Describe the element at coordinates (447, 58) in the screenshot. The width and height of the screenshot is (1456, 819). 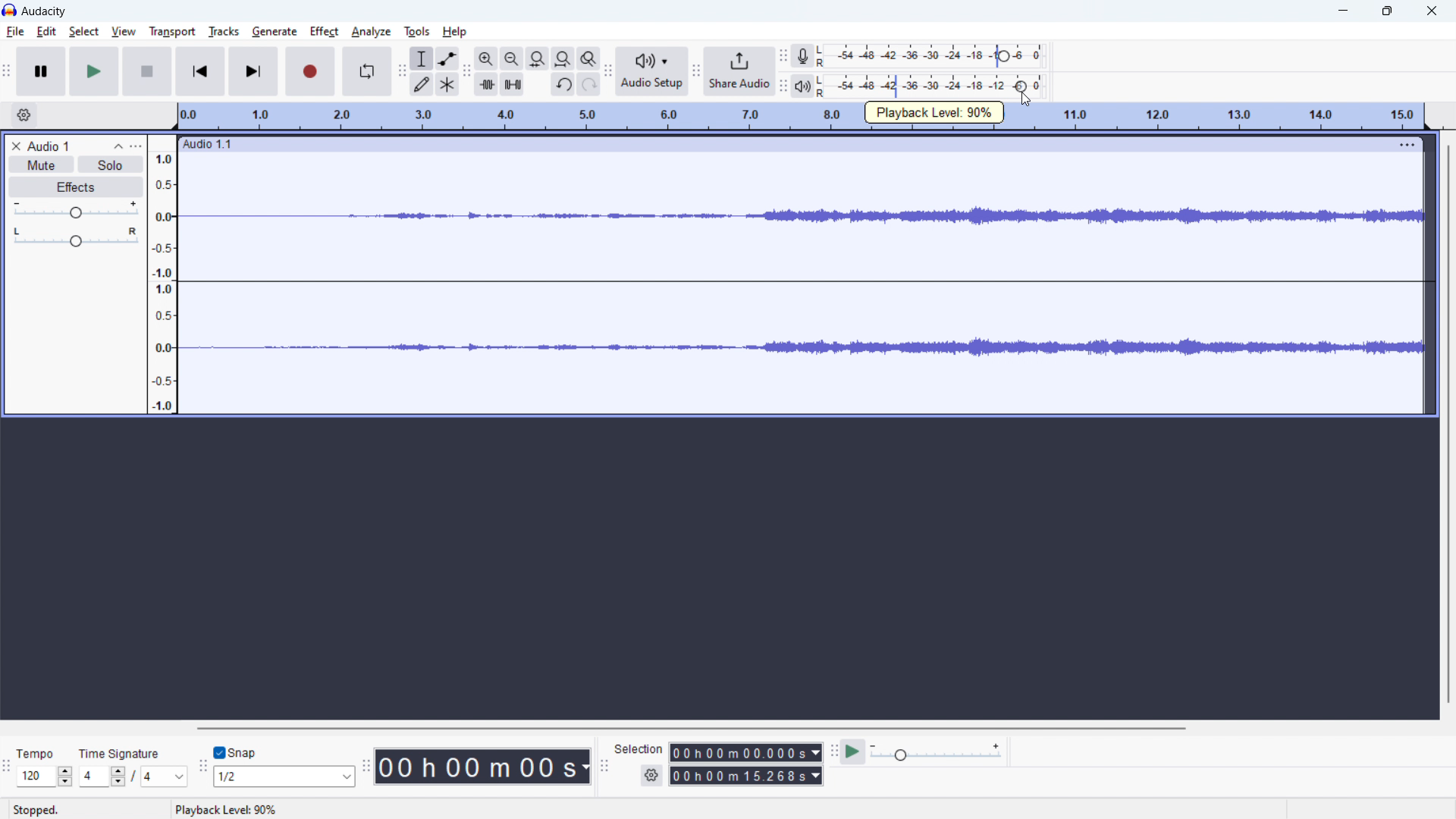
I see `envelop tool` at that location.